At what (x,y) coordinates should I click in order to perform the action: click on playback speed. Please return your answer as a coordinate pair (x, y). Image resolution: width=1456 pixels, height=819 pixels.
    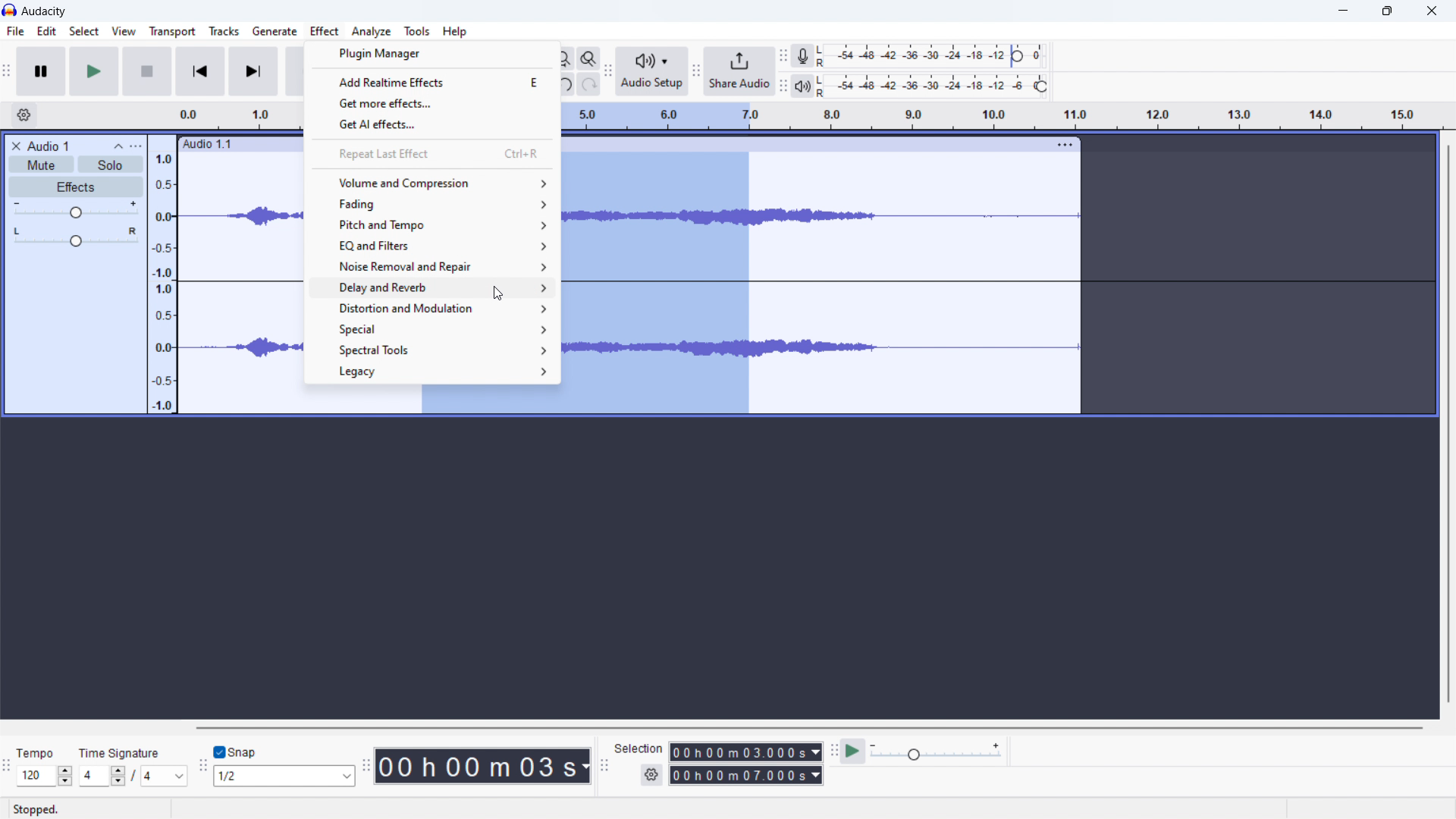
    Looking at the image, I should click on (935, 751).